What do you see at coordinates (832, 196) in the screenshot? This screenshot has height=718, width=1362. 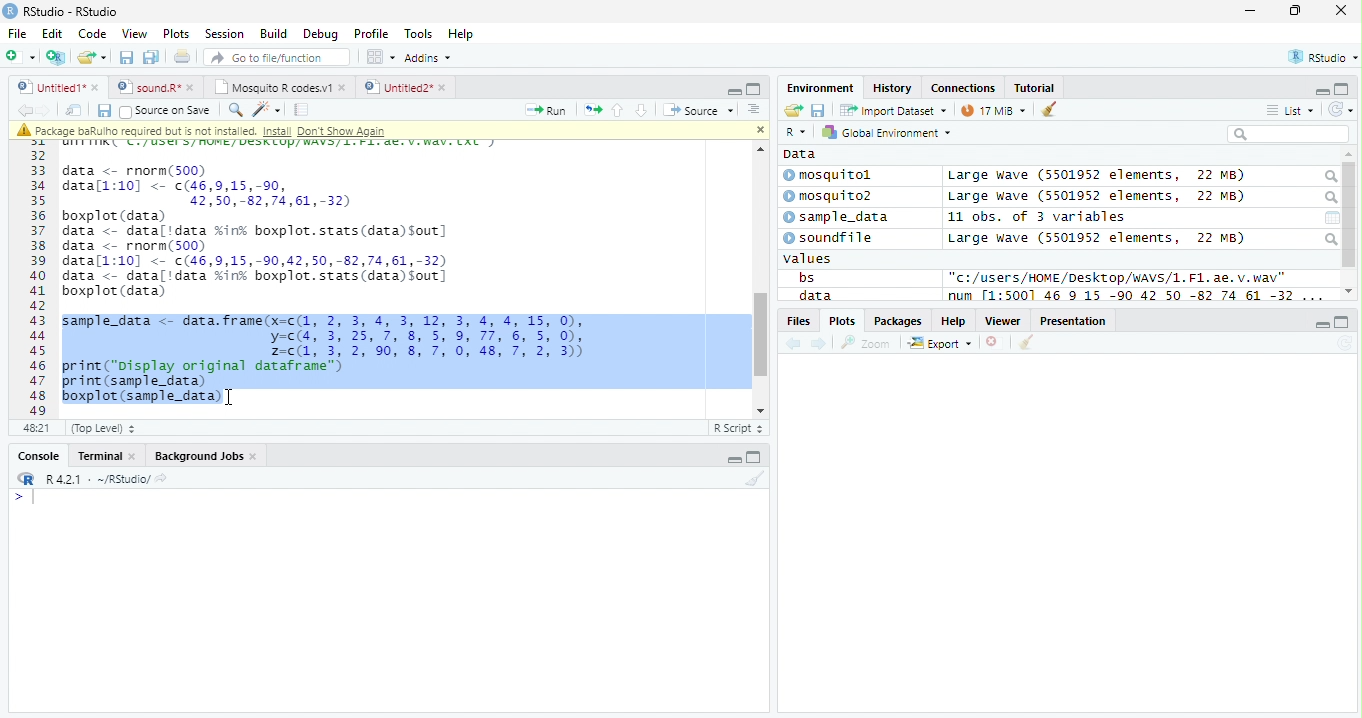 I see `mosquito2` at bounding box center [832, 196].